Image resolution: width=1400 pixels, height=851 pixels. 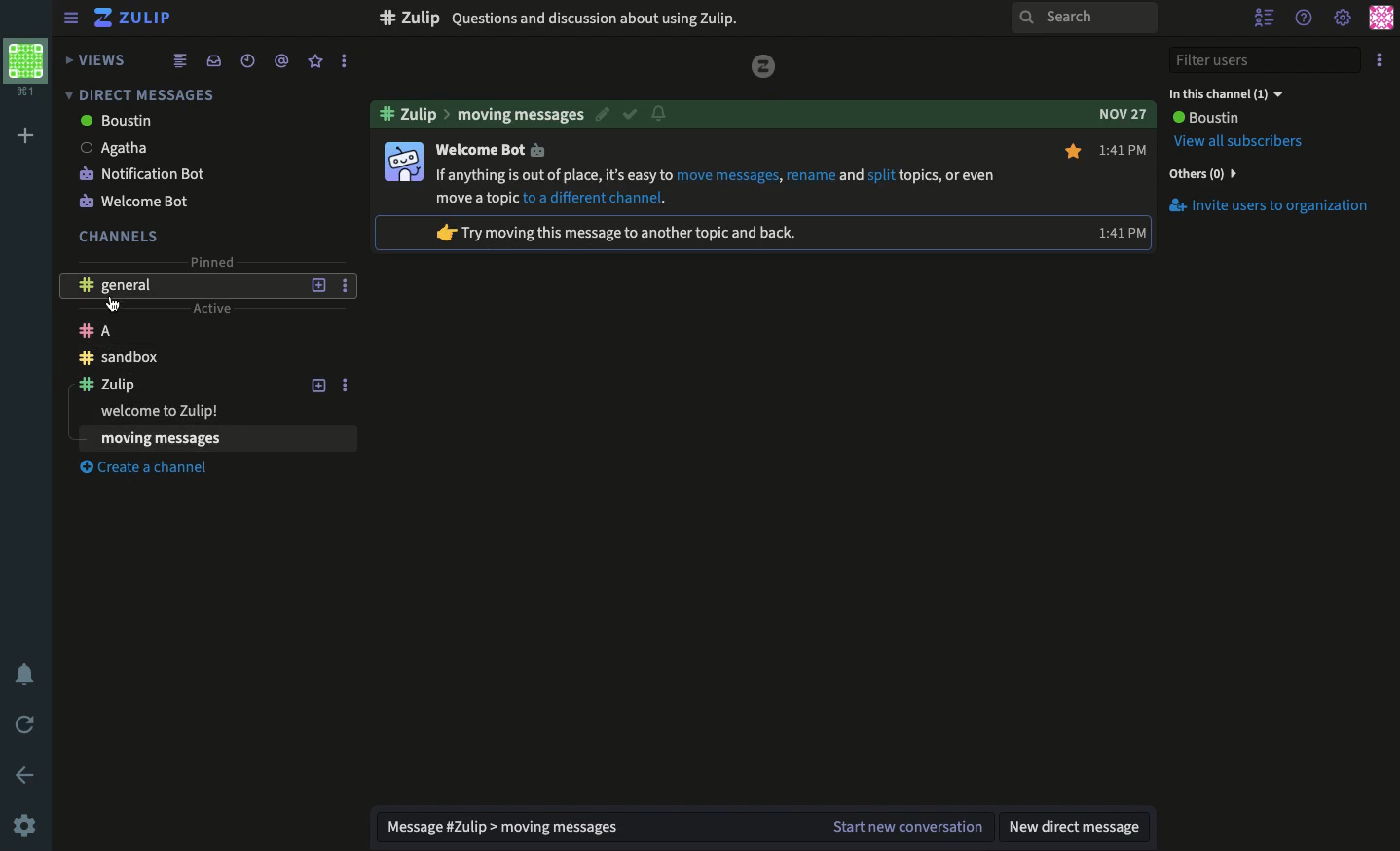 I want to click on date, so click(x=1122, y=114).